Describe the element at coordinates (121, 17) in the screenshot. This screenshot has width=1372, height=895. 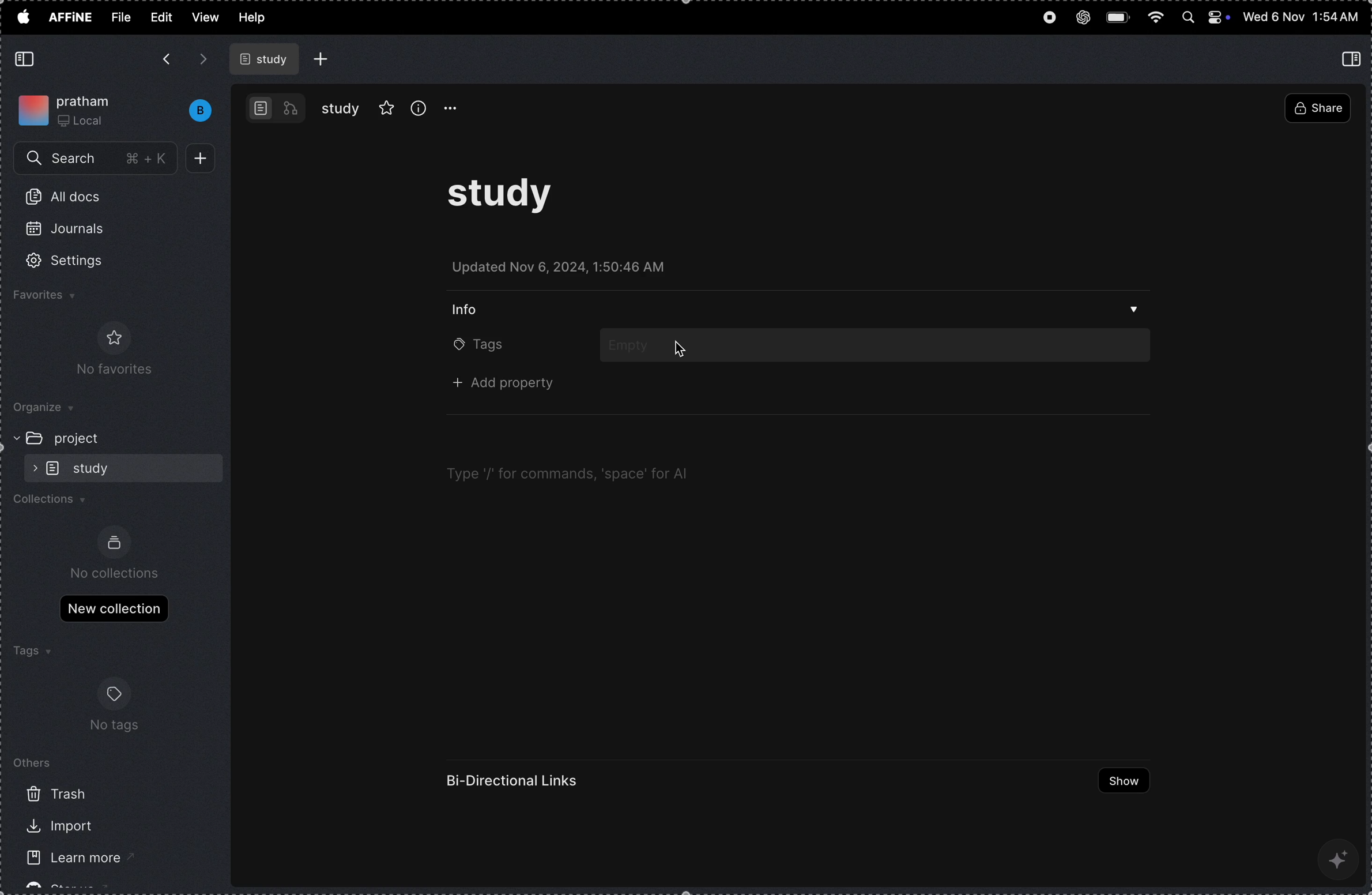
I see `file` at that location.